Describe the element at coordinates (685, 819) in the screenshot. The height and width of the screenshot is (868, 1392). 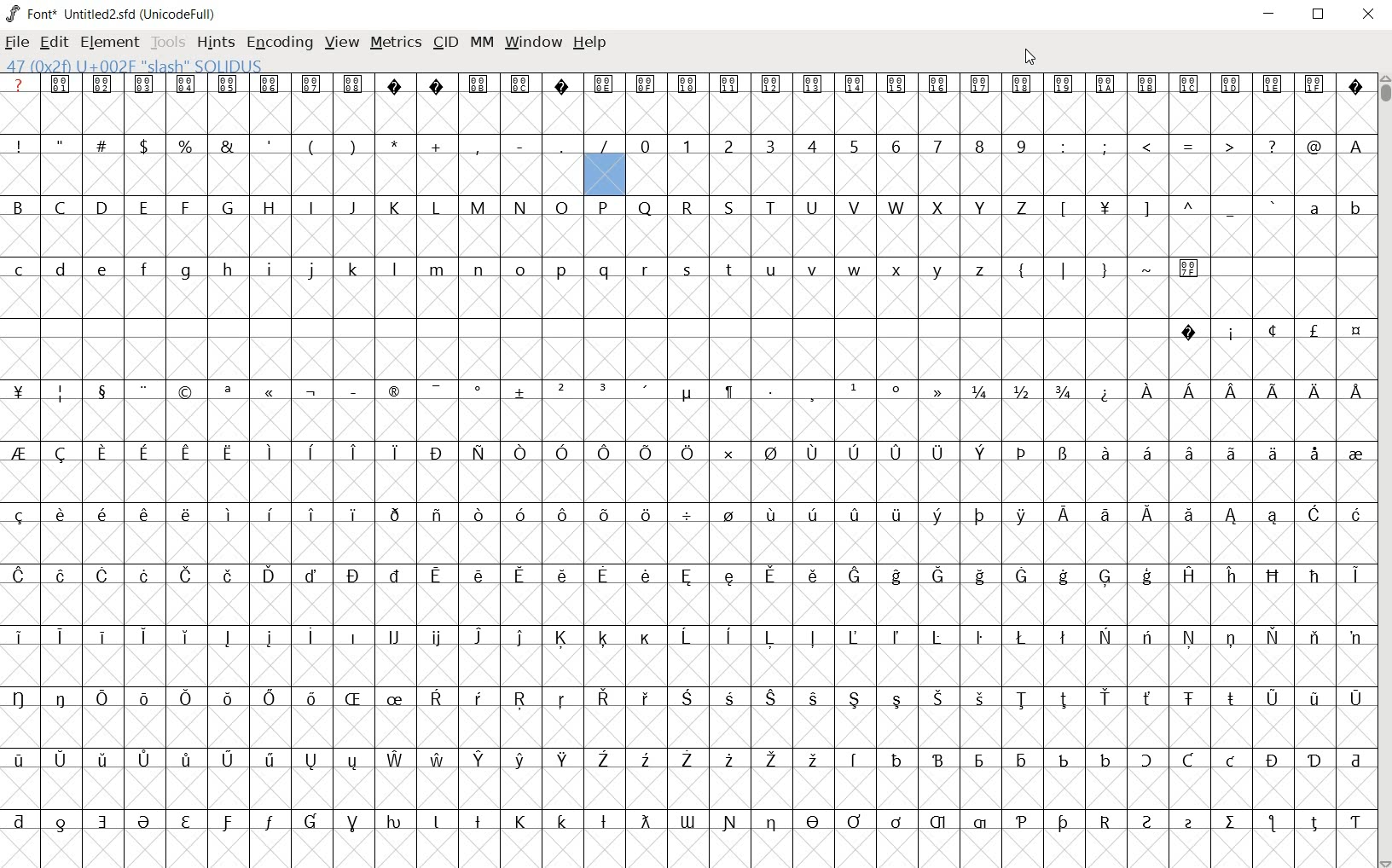
I see `` at that location.